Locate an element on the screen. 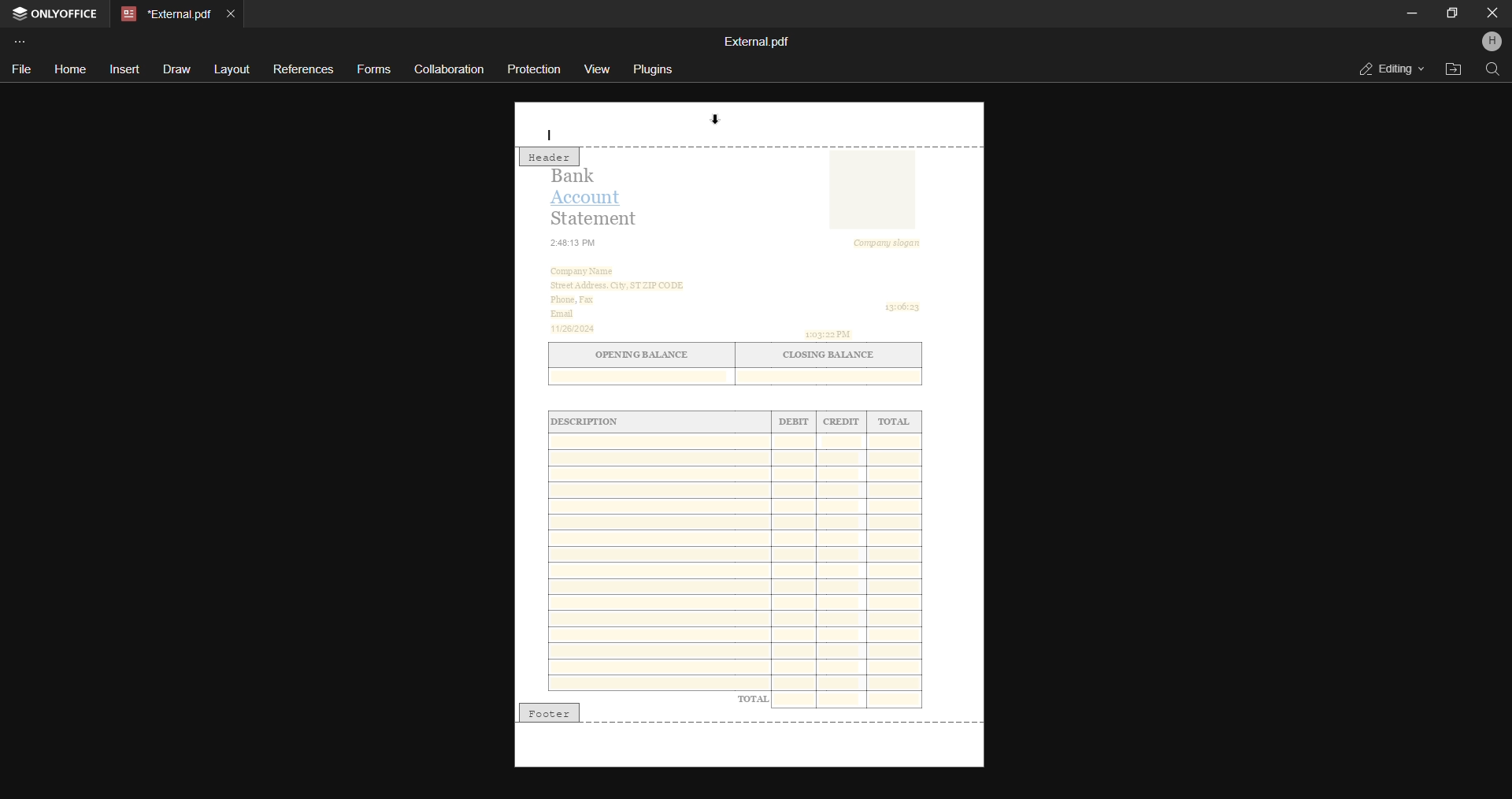 The width and height of the screenshot is (1512, 799). close is located at coordinates (1492, 13).